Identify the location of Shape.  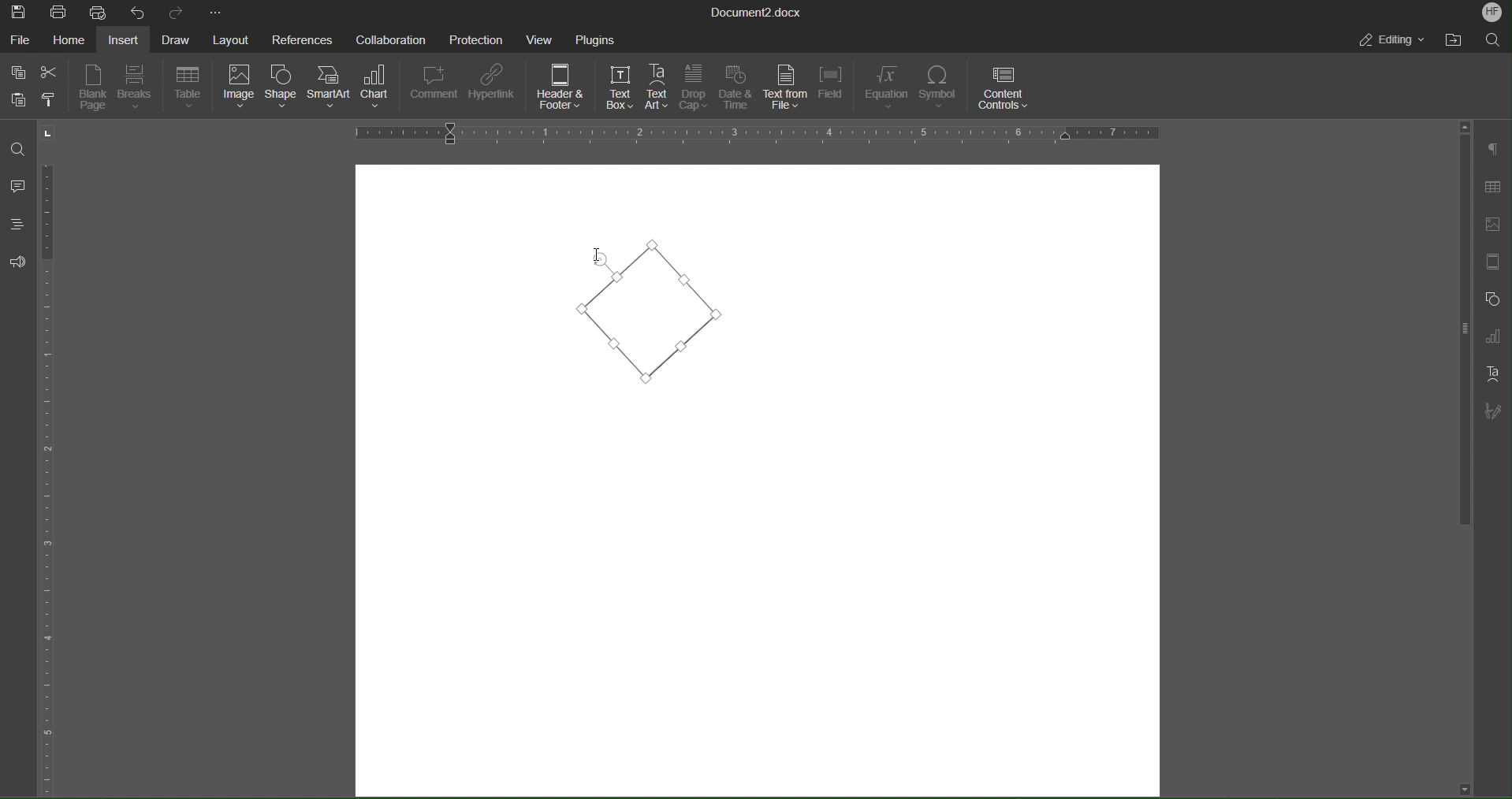
(283, 90).